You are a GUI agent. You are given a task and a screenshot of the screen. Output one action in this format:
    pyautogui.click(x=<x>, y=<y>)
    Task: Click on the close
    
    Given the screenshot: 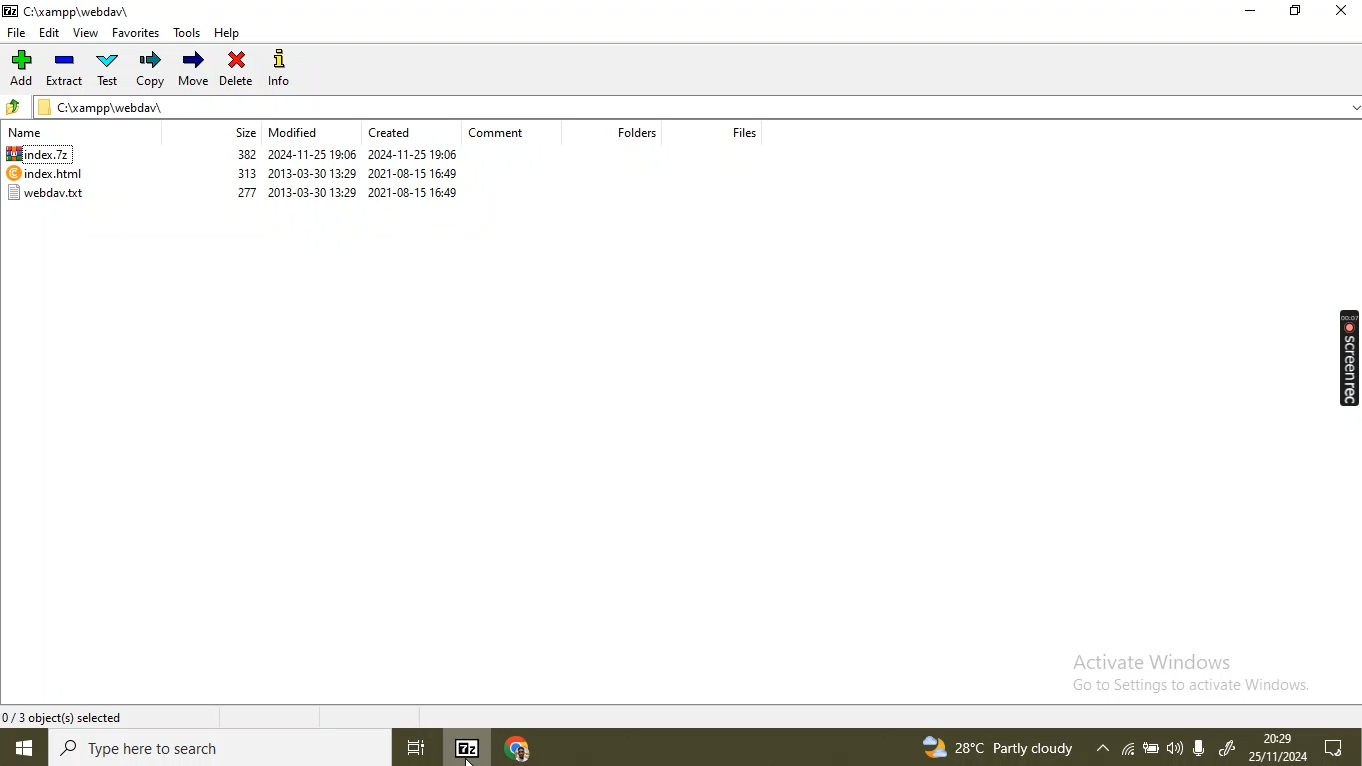 What is the action you would take?
    pyautogui.click(x=1344, y=15)
    